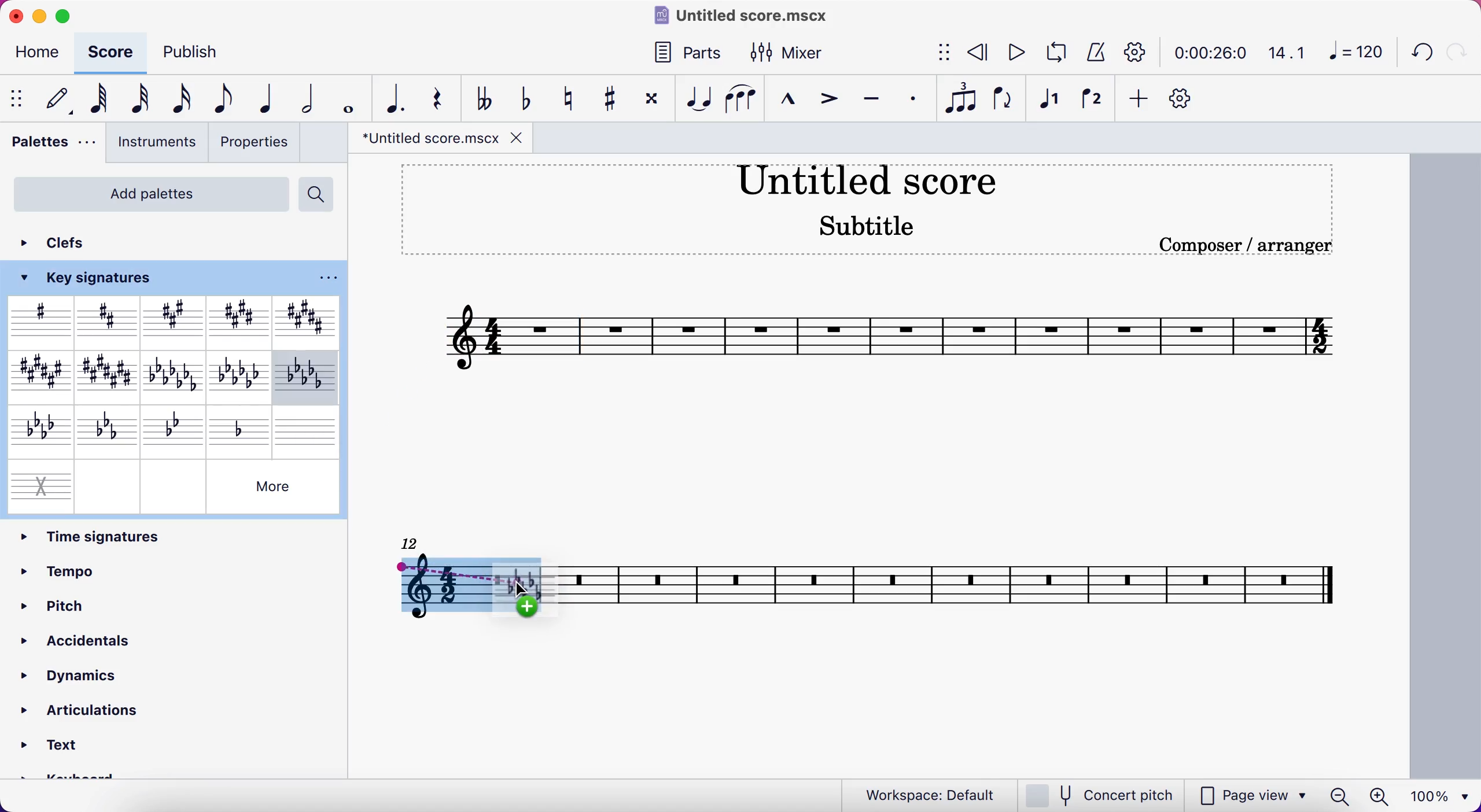  What do you see at coordinates (1236, 245) in the screenshot?
I see `Composer / arranger` at bounding box center [1236, 245].